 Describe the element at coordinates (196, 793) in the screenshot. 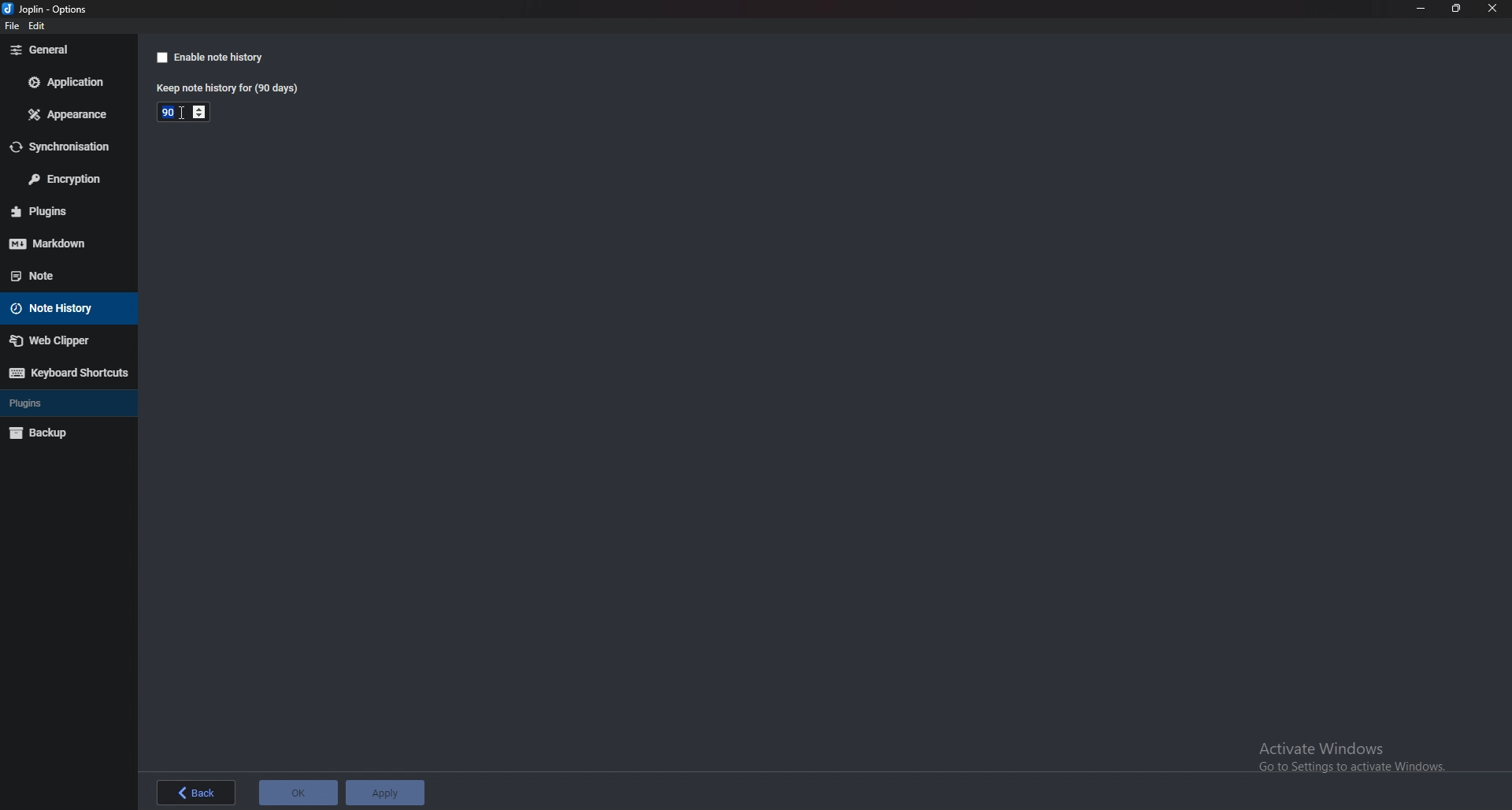

I see `back` at that location.